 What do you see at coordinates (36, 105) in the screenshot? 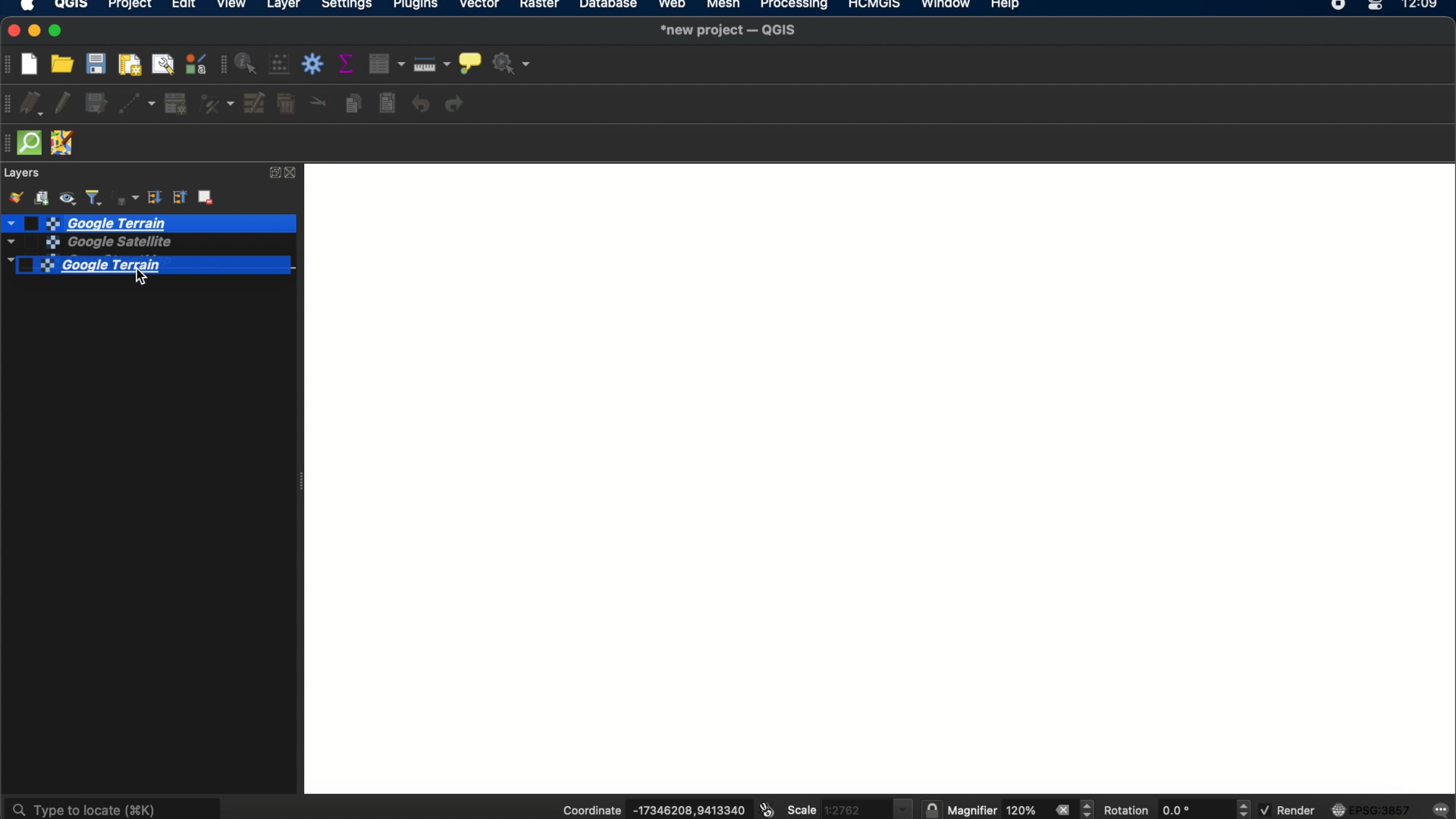
I see `current edits` at bounding box center [36, 105].